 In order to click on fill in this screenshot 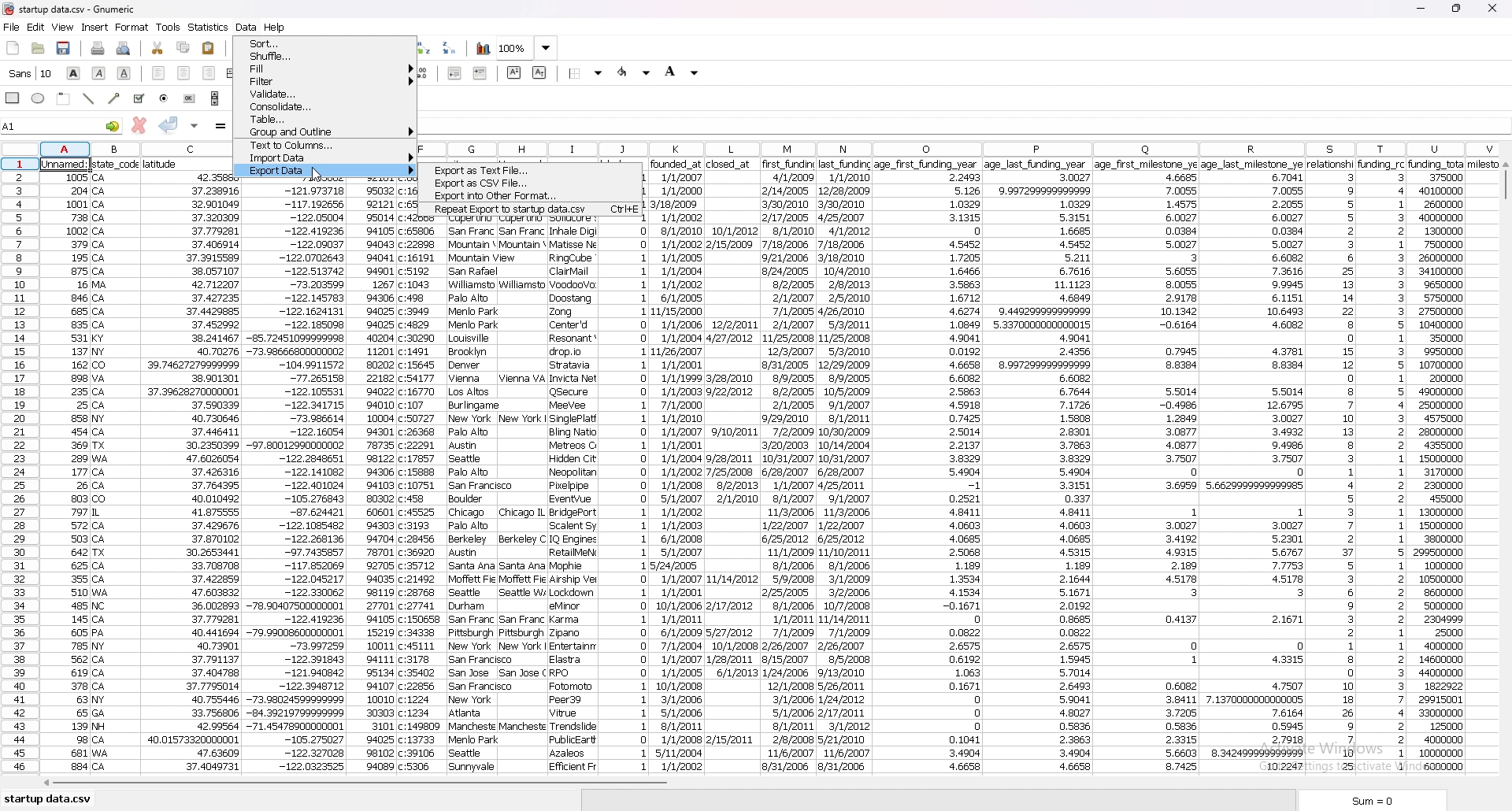, I will do `click(326, 69)`.